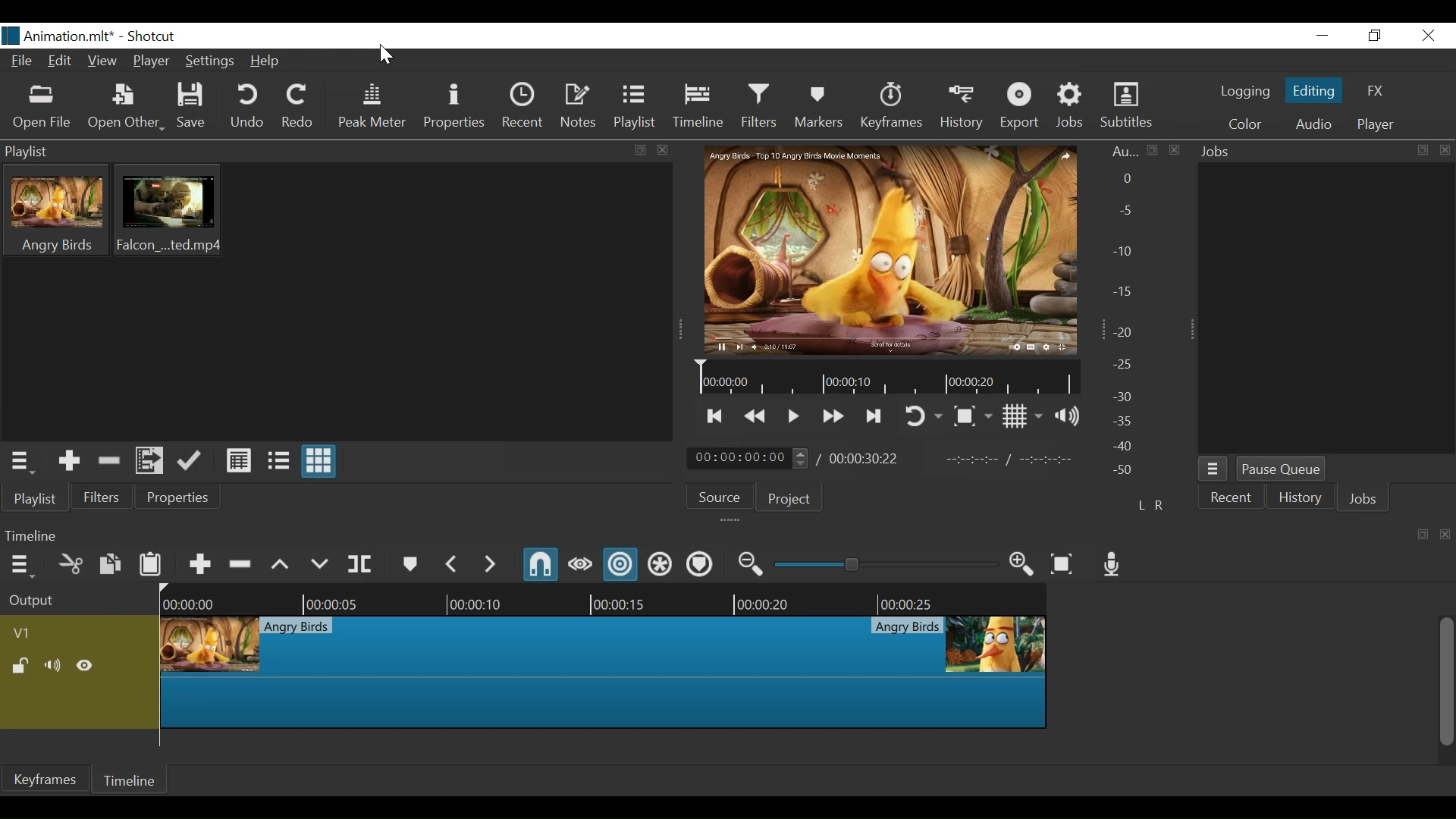  Describe the element at coordinates (522, 105) in the screenshot. I see `Recent` at that location.